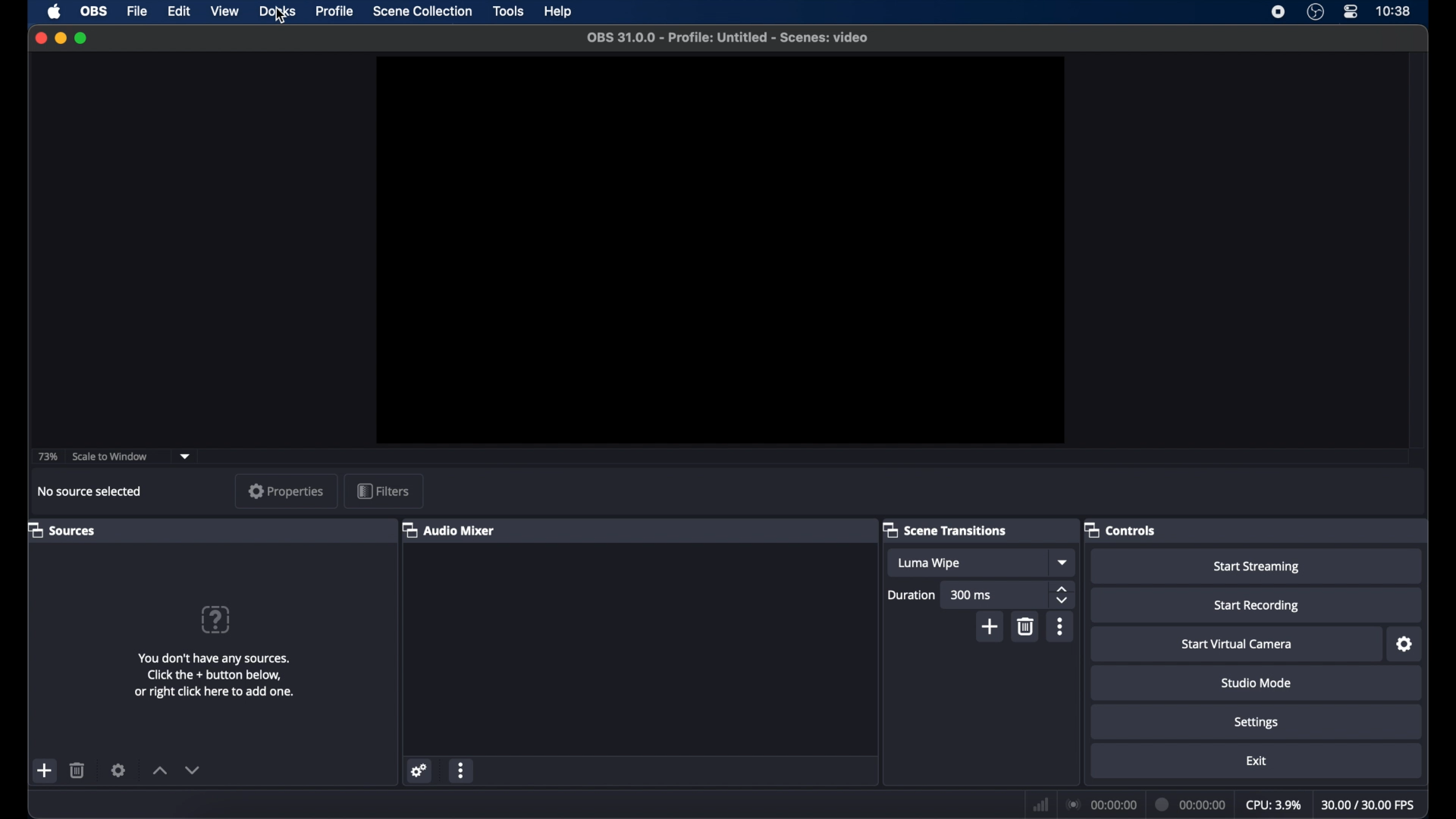  I want to click on tools, so click(509, 11).